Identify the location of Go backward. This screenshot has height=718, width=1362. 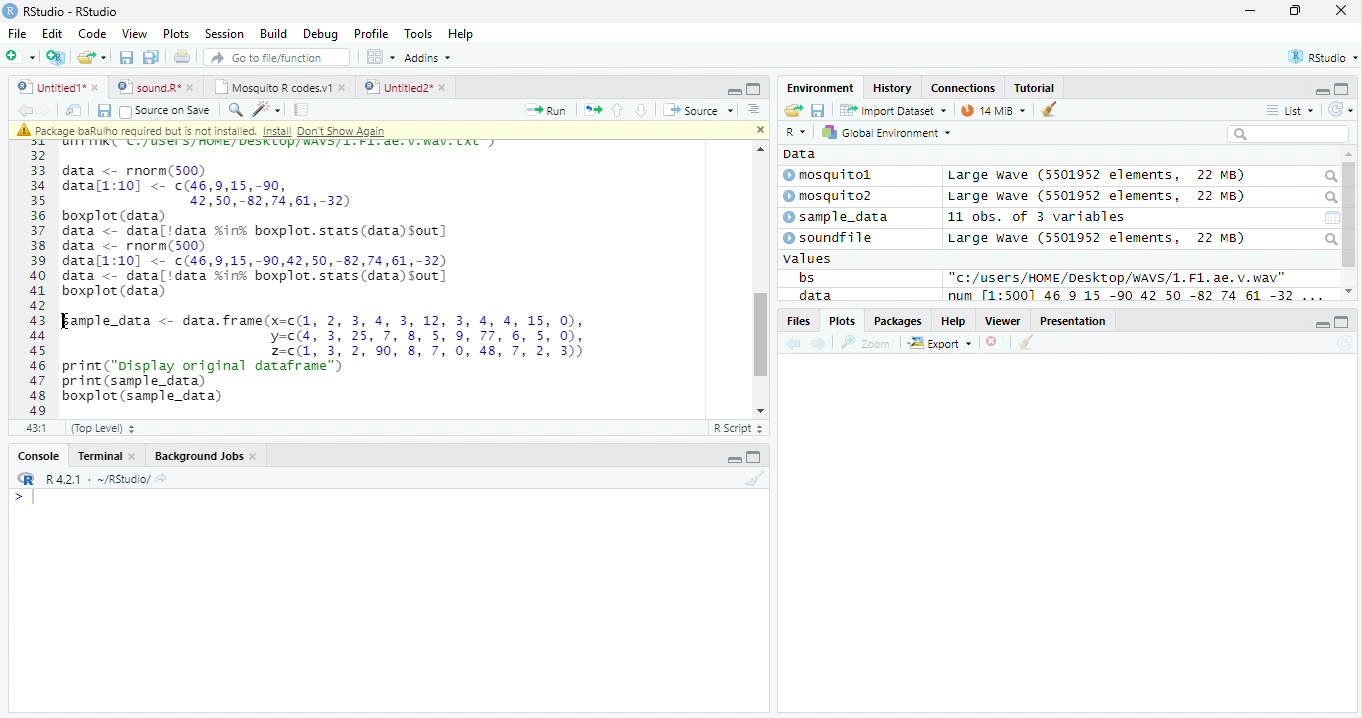
(24, 109).